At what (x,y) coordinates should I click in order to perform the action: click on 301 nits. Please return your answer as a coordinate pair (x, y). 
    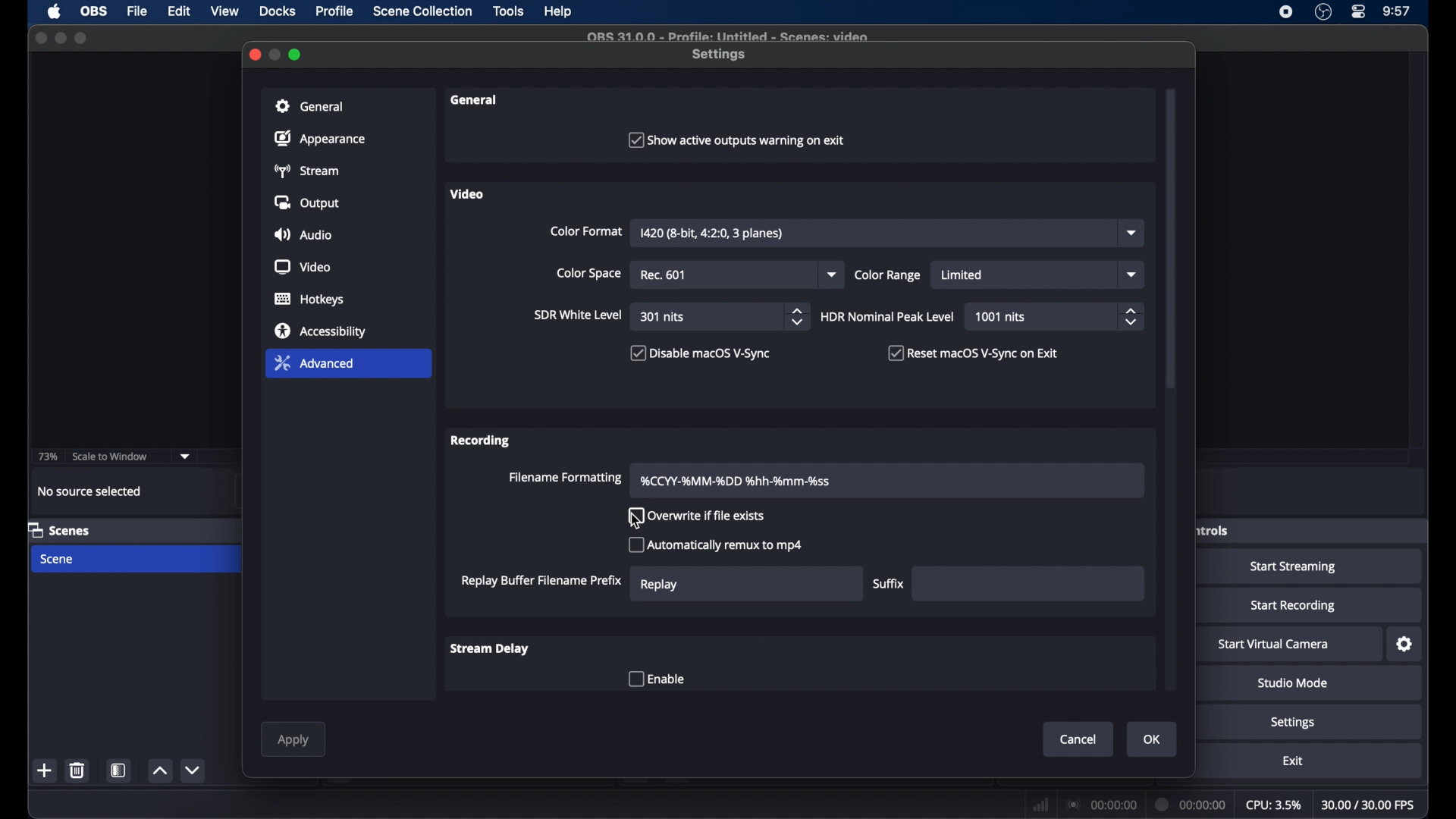
    Looking at the image, I should click on (664, 317).